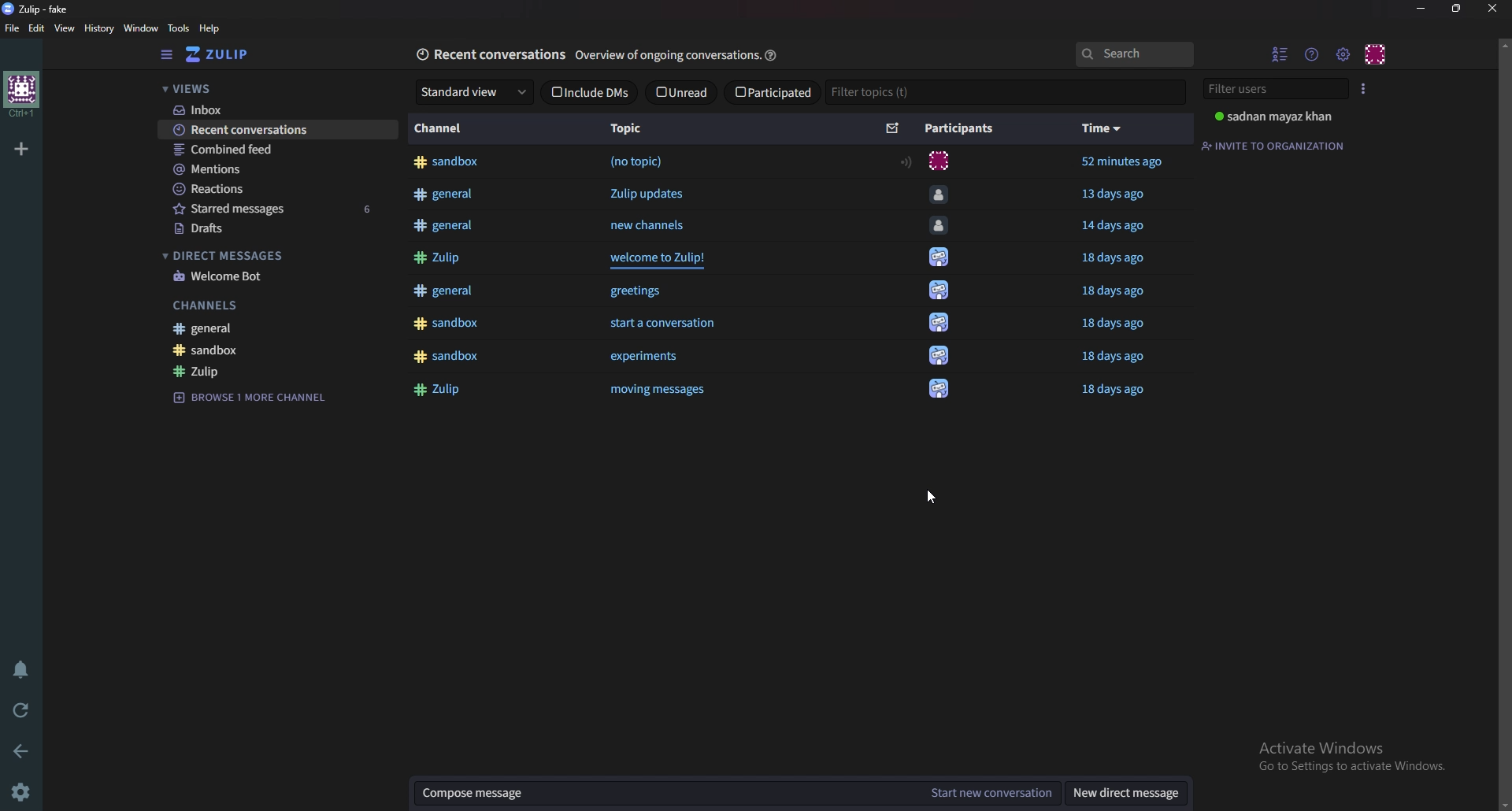 The image size is (1512, 811). Describe the element at coordinates (1122, 792) in the screenshot. I see `New direct message` at that location.